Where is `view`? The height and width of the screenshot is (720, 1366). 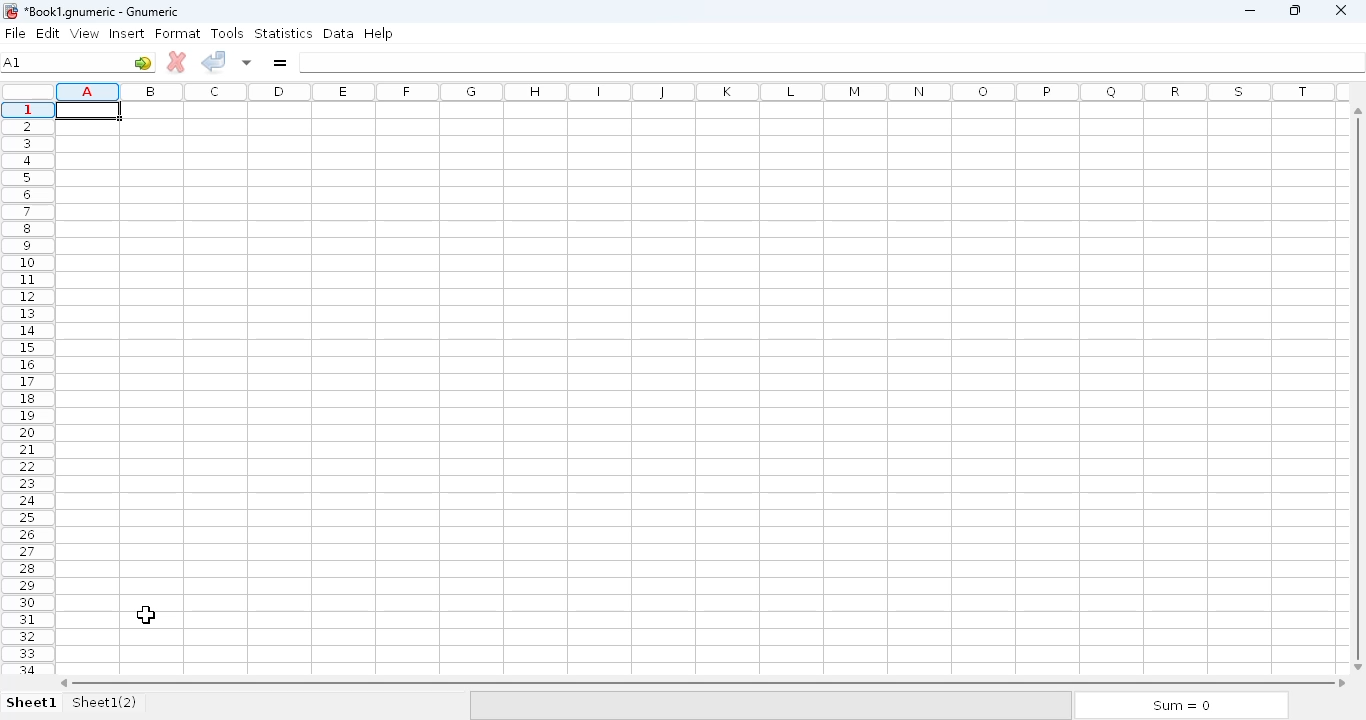
view is located at coordinates (85, 33).